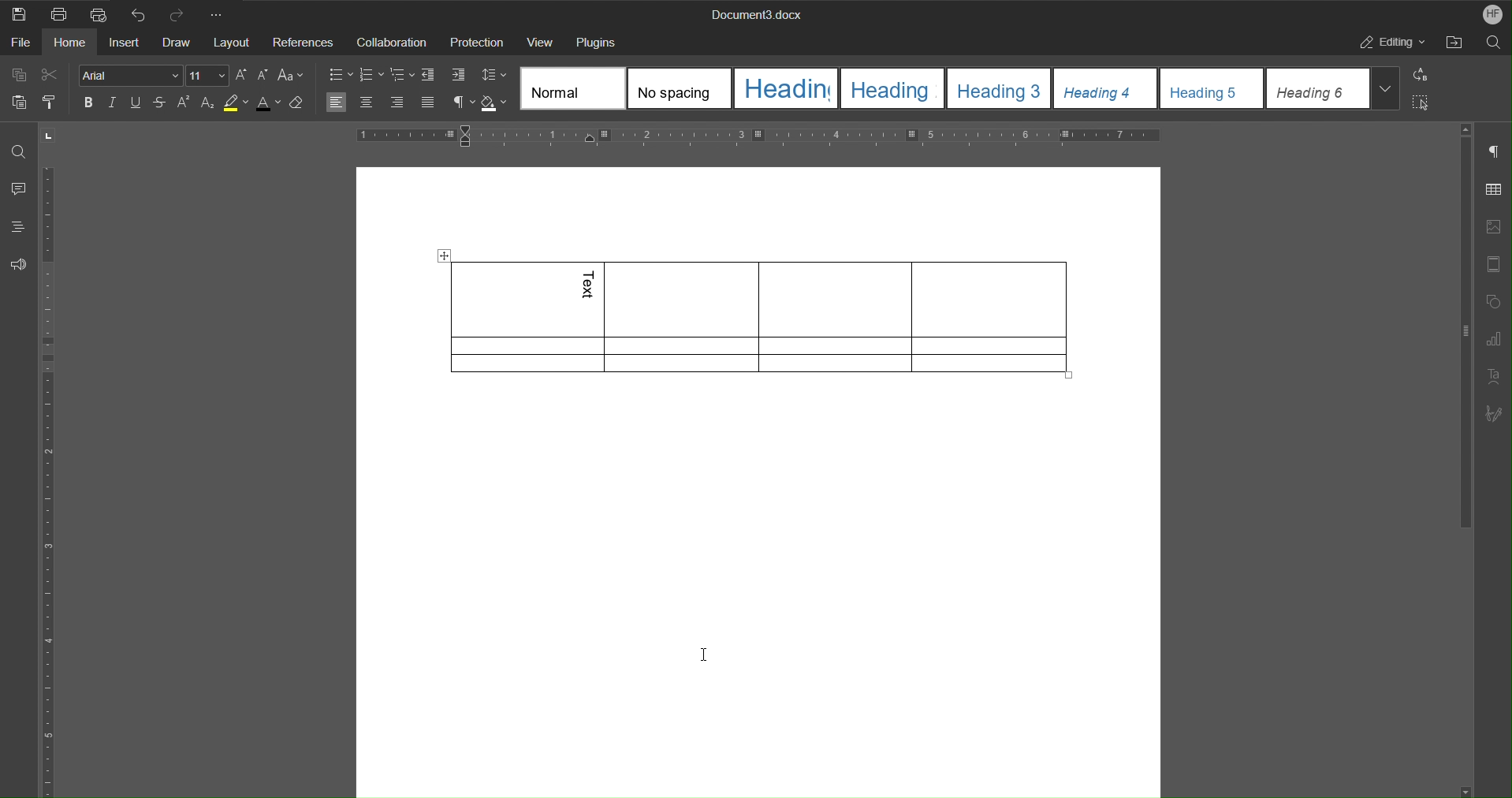 The image size is (1512, 798). What do you see at coordinates (20, 76) in the screenshot?
I see `Copy` at bounding box center [20, 76].